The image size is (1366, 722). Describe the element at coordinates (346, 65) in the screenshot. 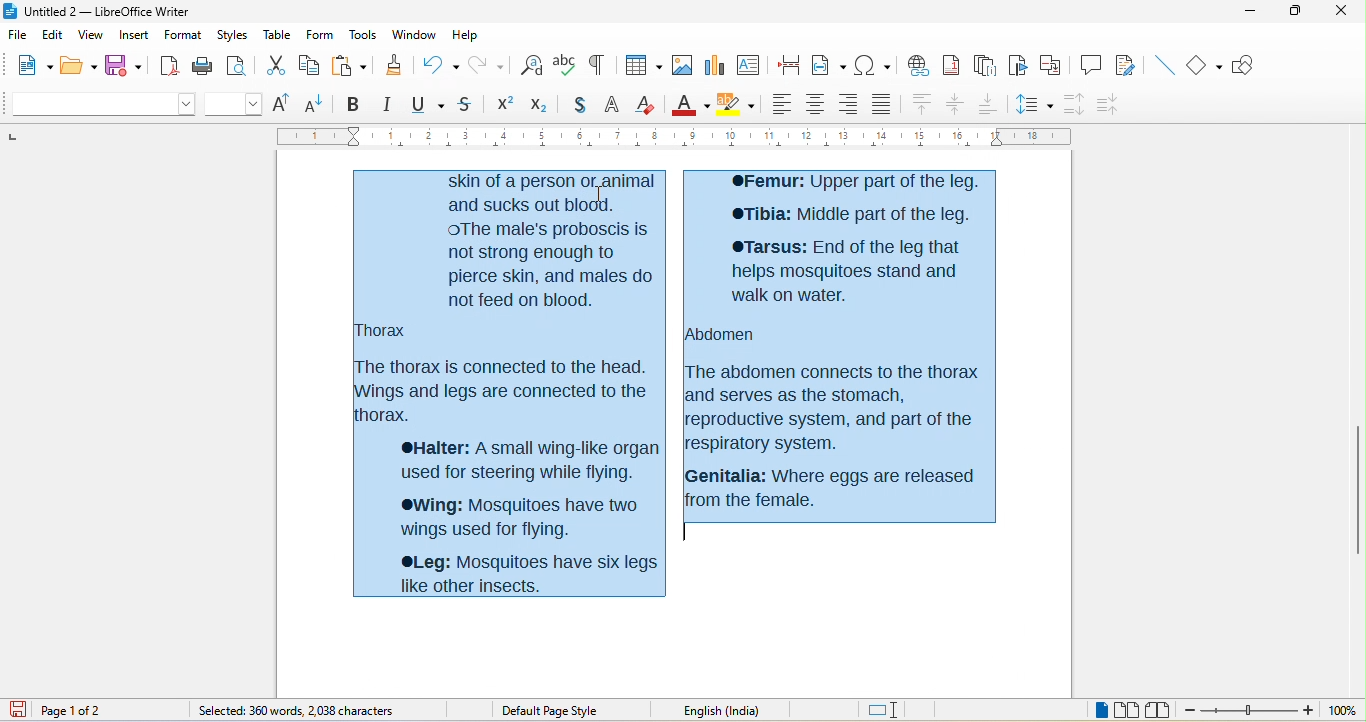

I see `paste` at that location.